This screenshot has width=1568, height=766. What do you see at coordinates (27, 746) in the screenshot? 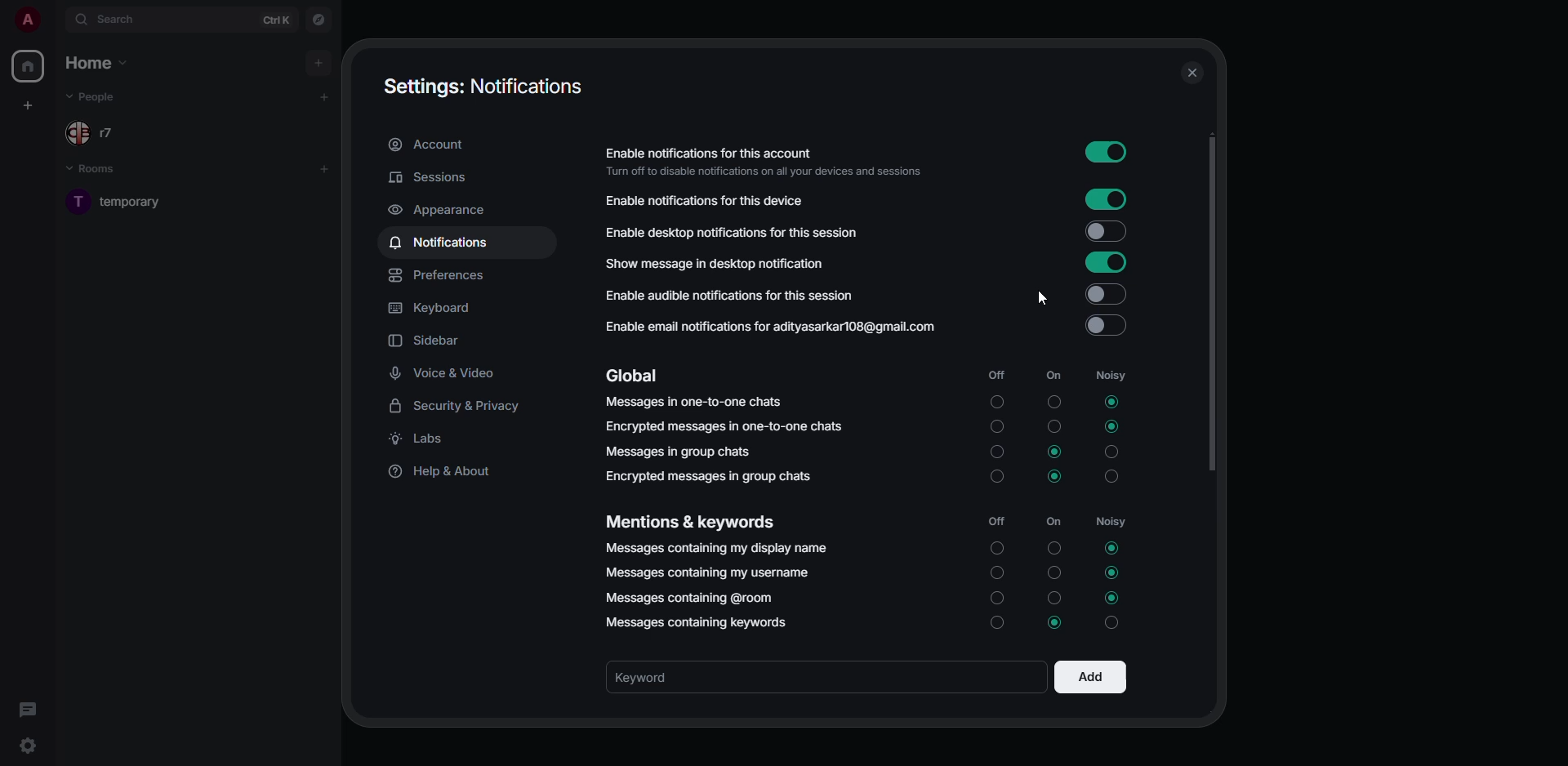
I see `quick settings` at bounding box center [27, 746].